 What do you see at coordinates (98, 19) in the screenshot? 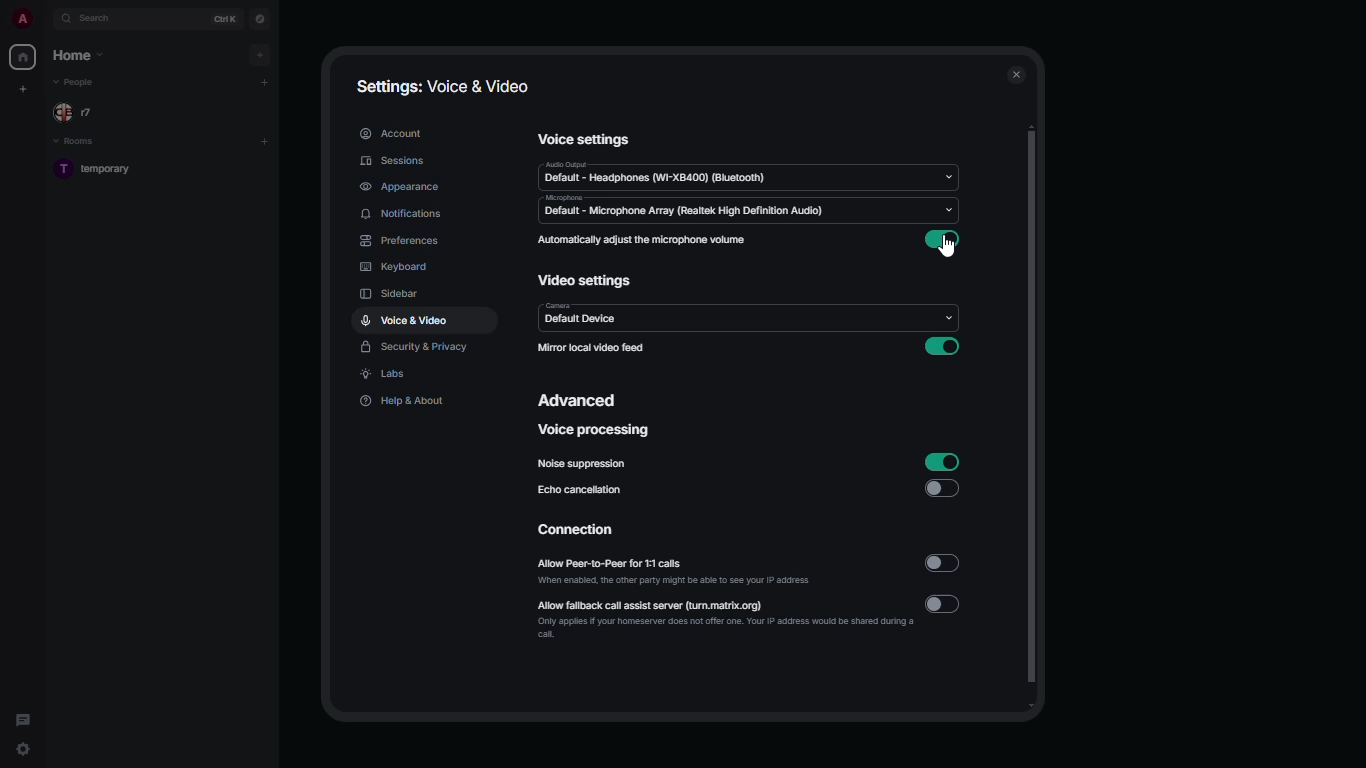
I see `search` at bounding box center [98, 19].